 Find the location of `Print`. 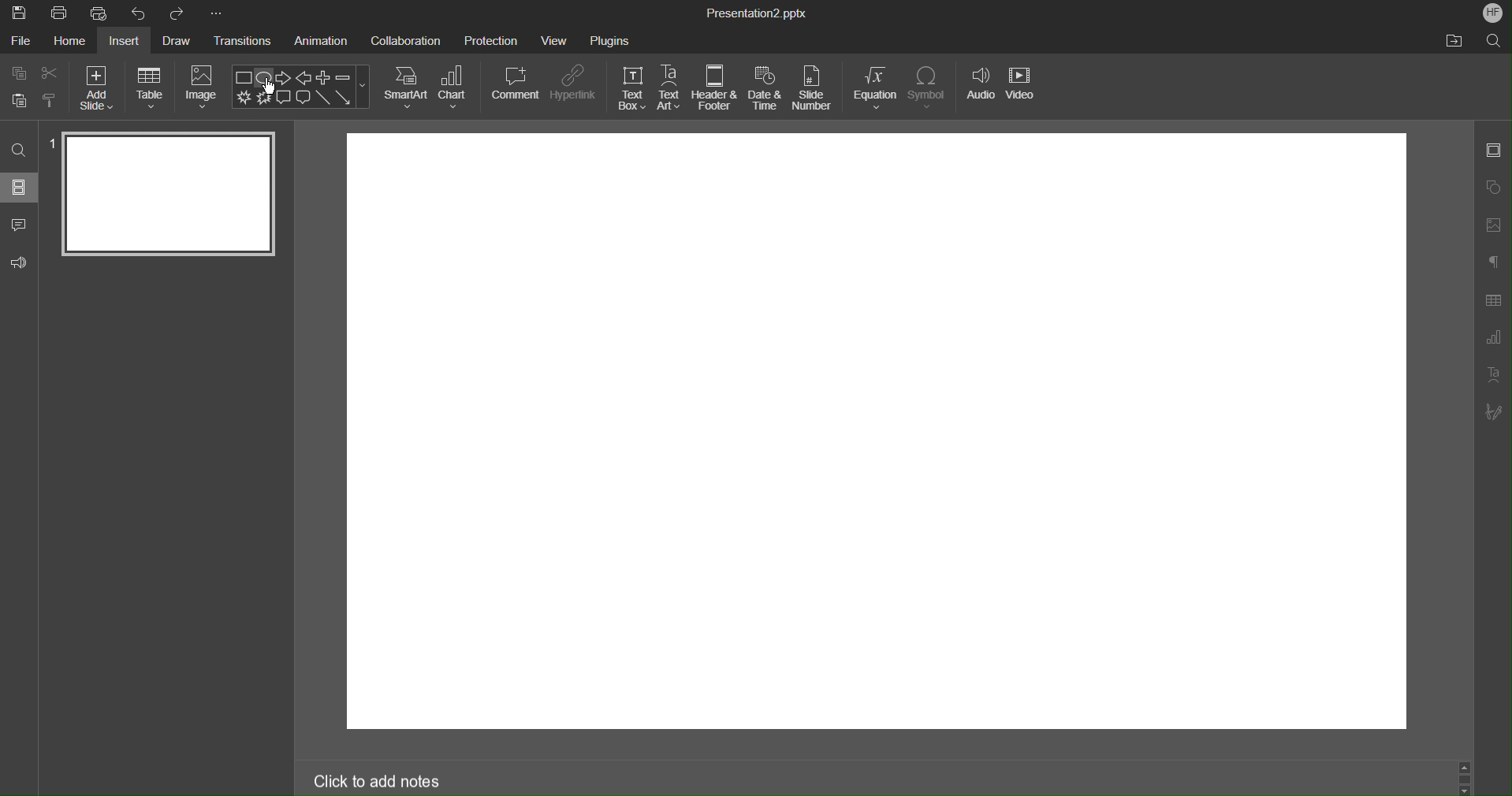

Print is located at coordinates (59, 14).